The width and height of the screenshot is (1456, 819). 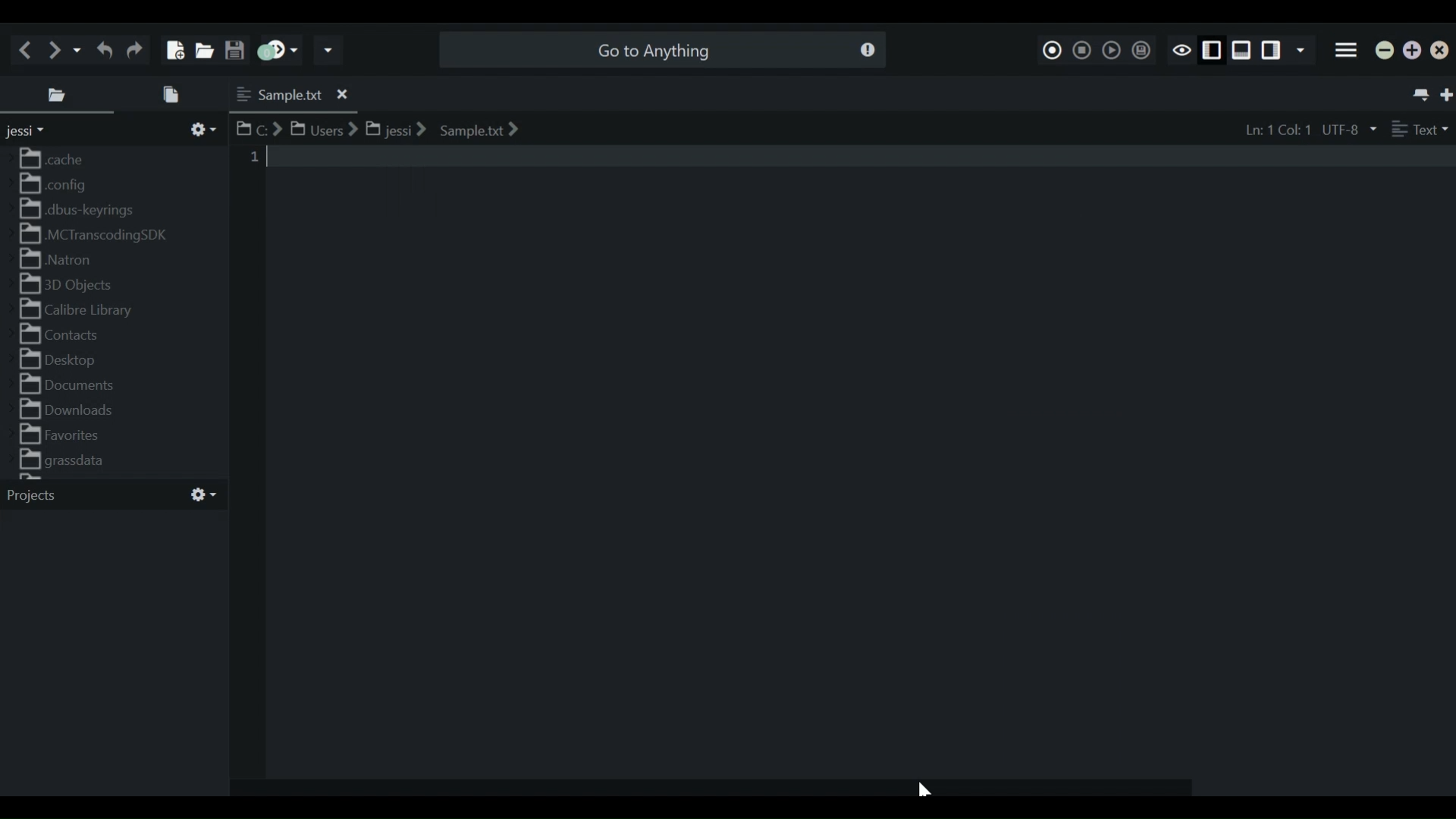 What do you see at coordinates (34, 132) in the screenshot?
I see `Parent Folder` at bounding box center [34, 132].